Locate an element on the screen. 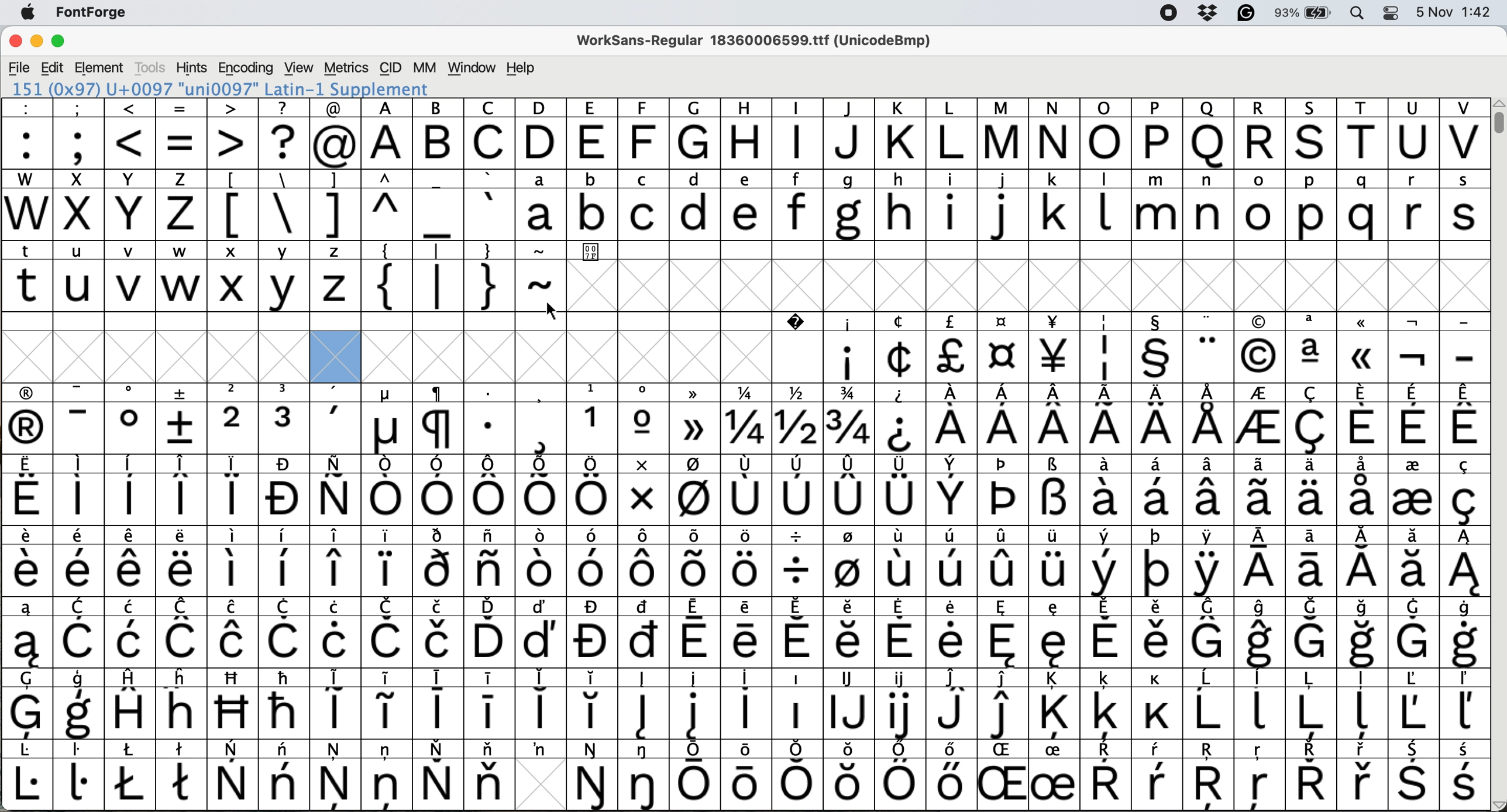 Image resolution: width=1507 pixels, height=812 pixels. symbol is located at coordinates (439, 418).